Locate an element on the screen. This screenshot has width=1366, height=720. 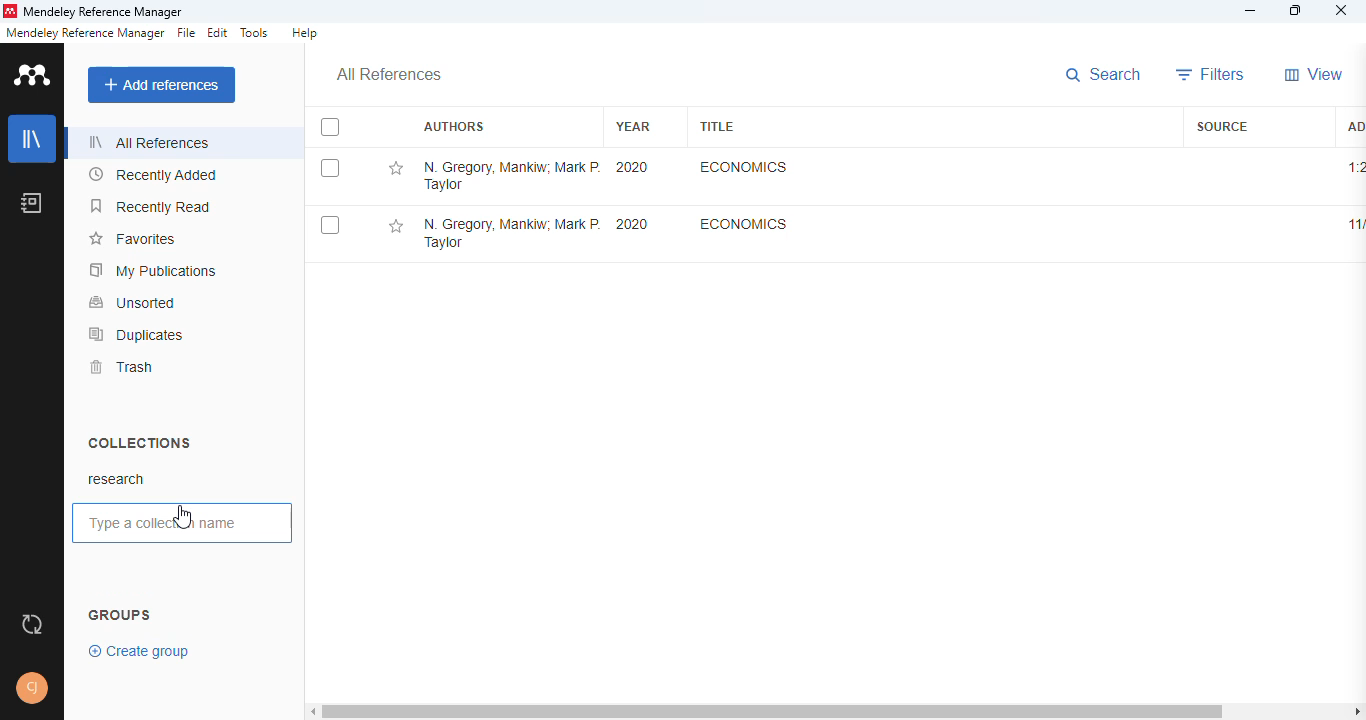
Economics is located at coordinates (744, 223).